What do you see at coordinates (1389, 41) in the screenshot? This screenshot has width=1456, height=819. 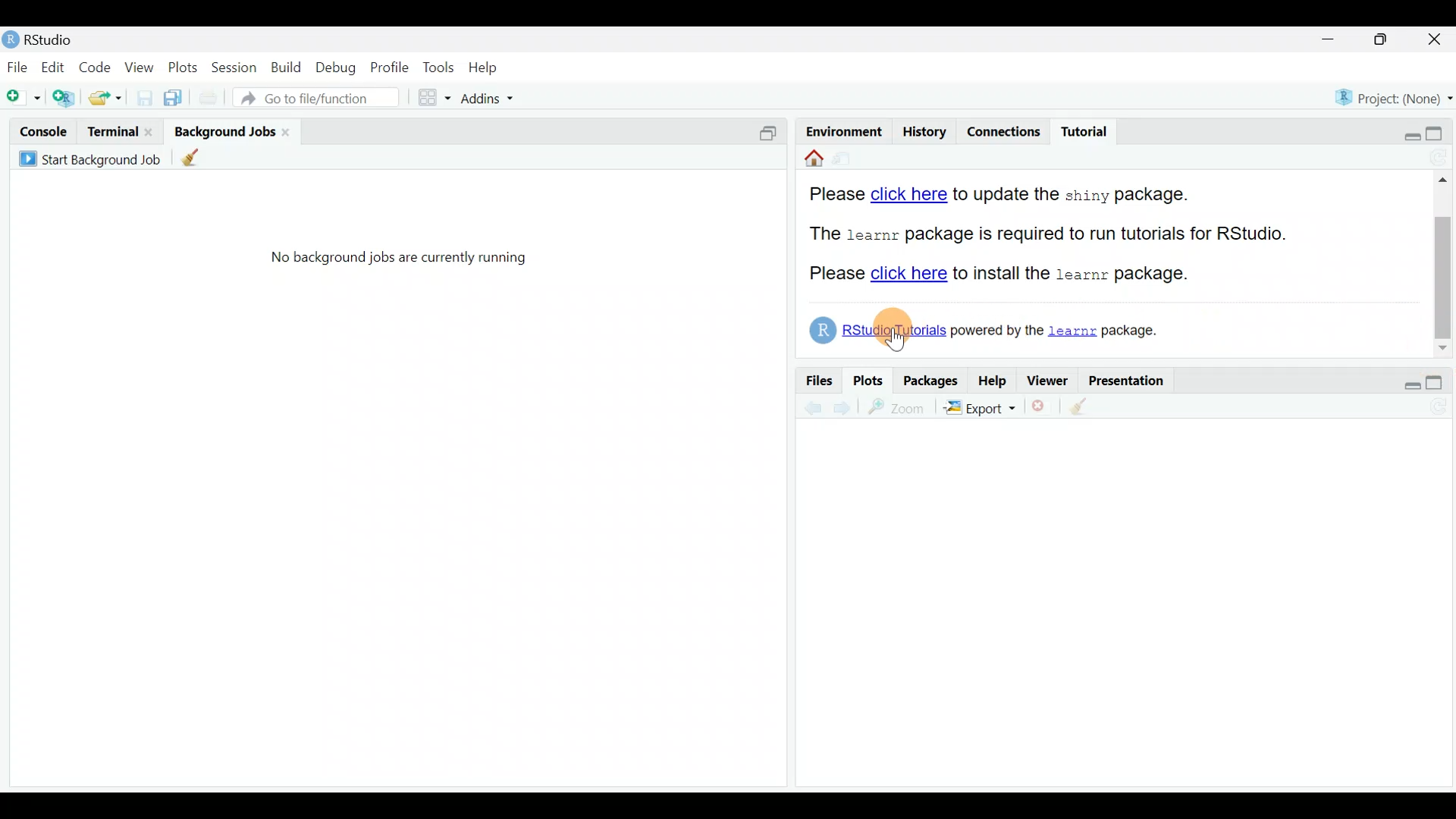 I see `Maximize` at bounding box center [1389, 41].